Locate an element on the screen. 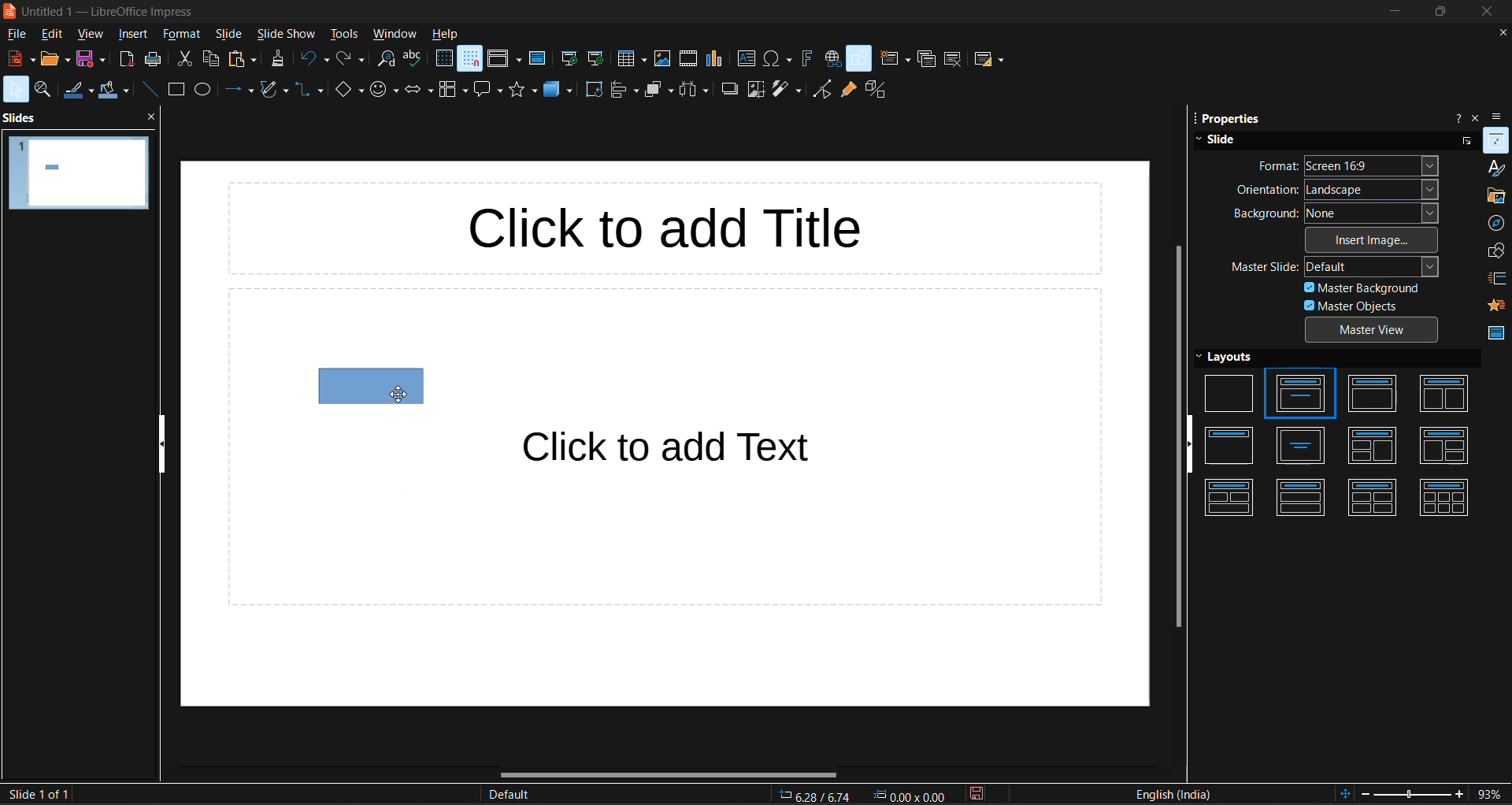 The width and height of the screenshot is (1512, 805). Default is located at coordinates (509, 796).